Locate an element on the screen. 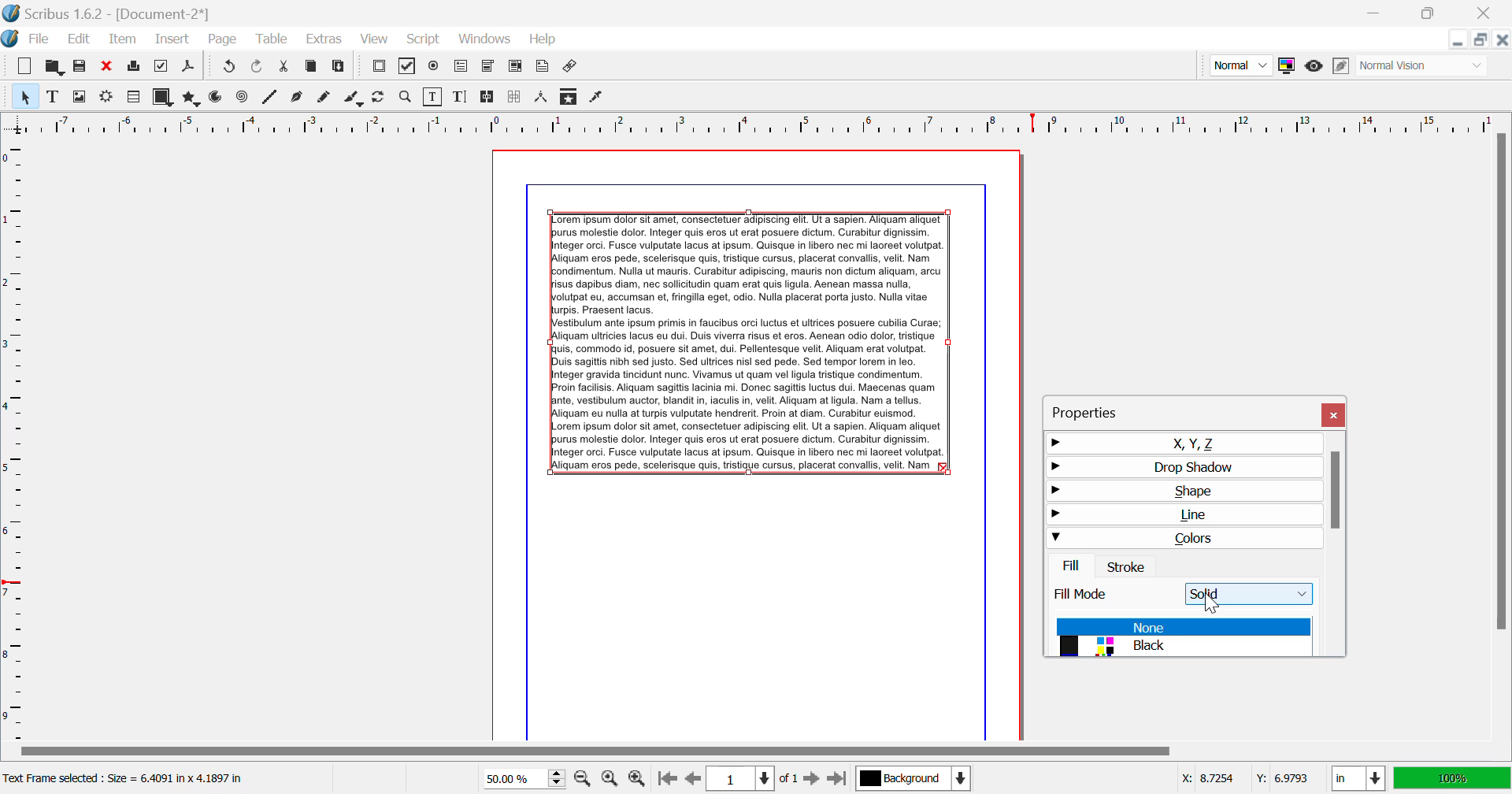 Image resolution: width=1512 pixels, height=794 pixels. Zoom is located at coordinates (406, 97).